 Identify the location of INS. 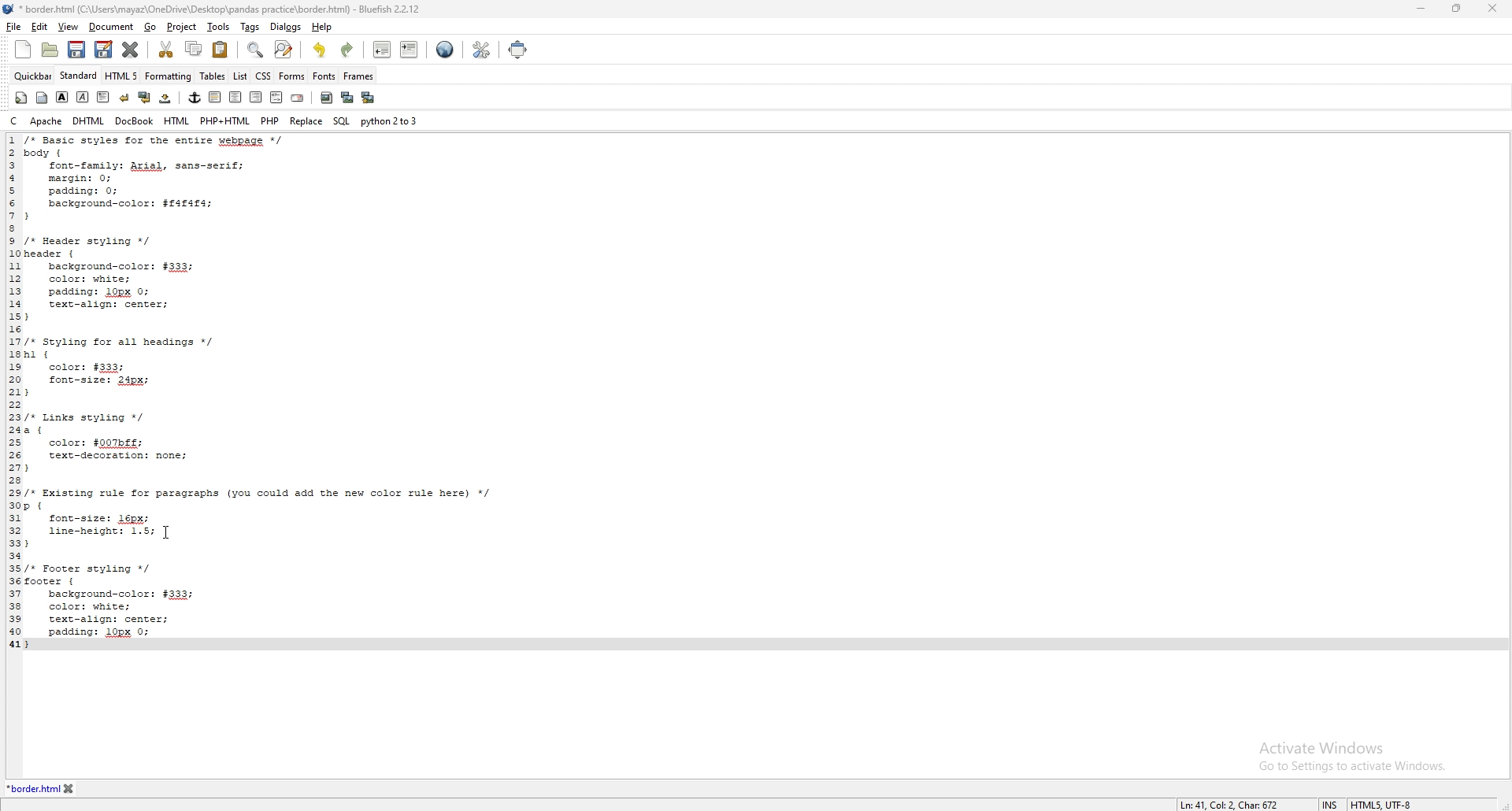
(1328, 799).